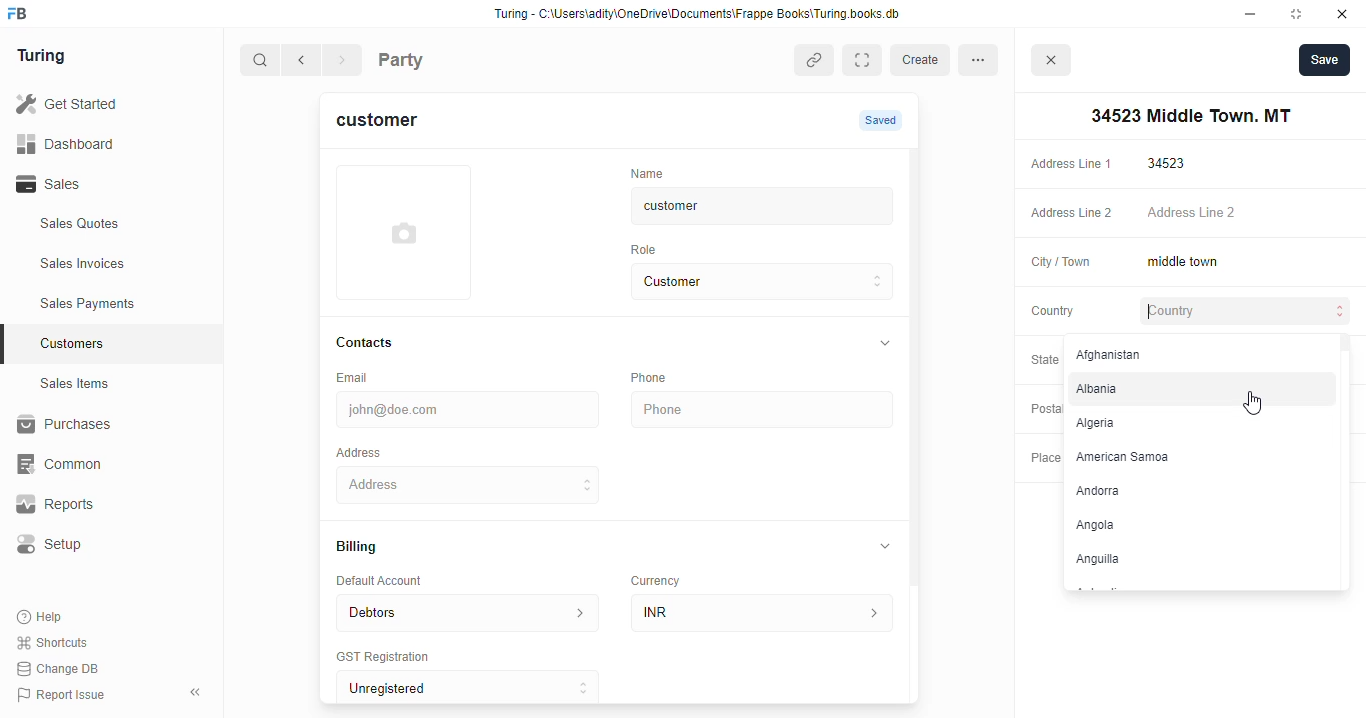  What do you see at coordinates (467, 611) in the screenshot?
I see `Debtors` at bounding box center [467, 611].